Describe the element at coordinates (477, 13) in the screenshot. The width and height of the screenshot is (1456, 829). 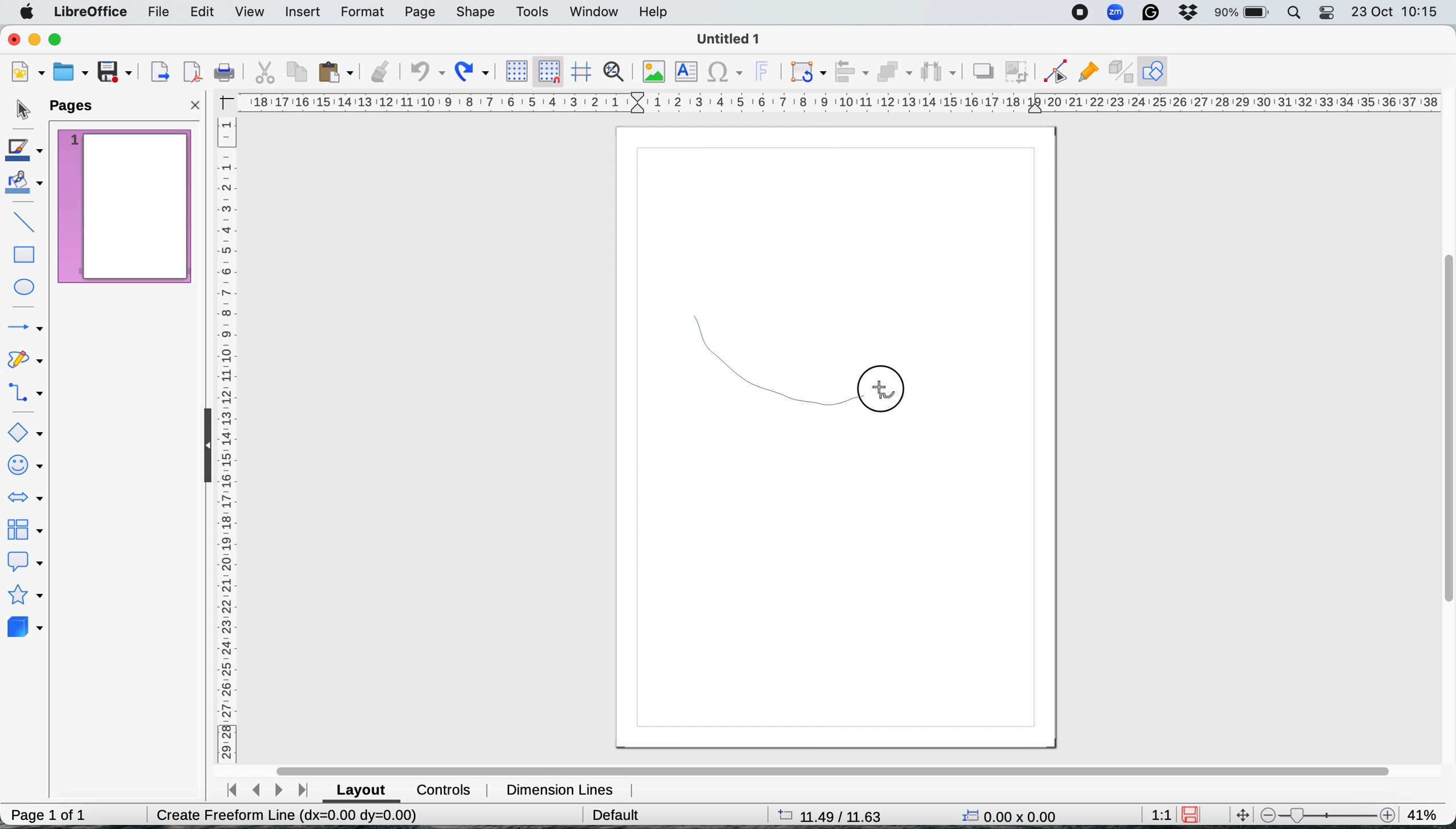
I see `shape` at that location.